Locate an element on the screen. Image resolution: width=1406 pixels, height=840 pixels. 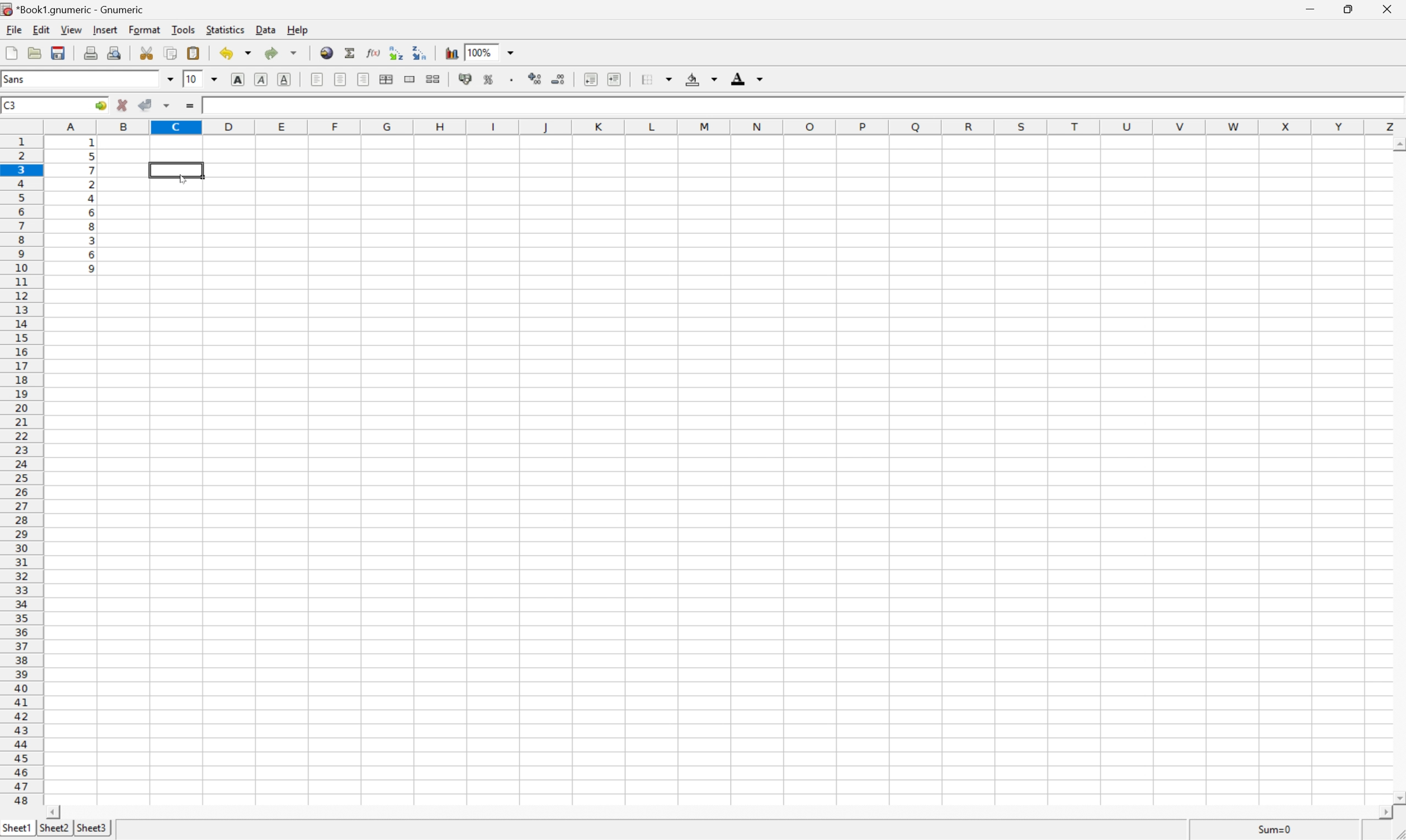
scroll up is located at coordinates (1397, 142).